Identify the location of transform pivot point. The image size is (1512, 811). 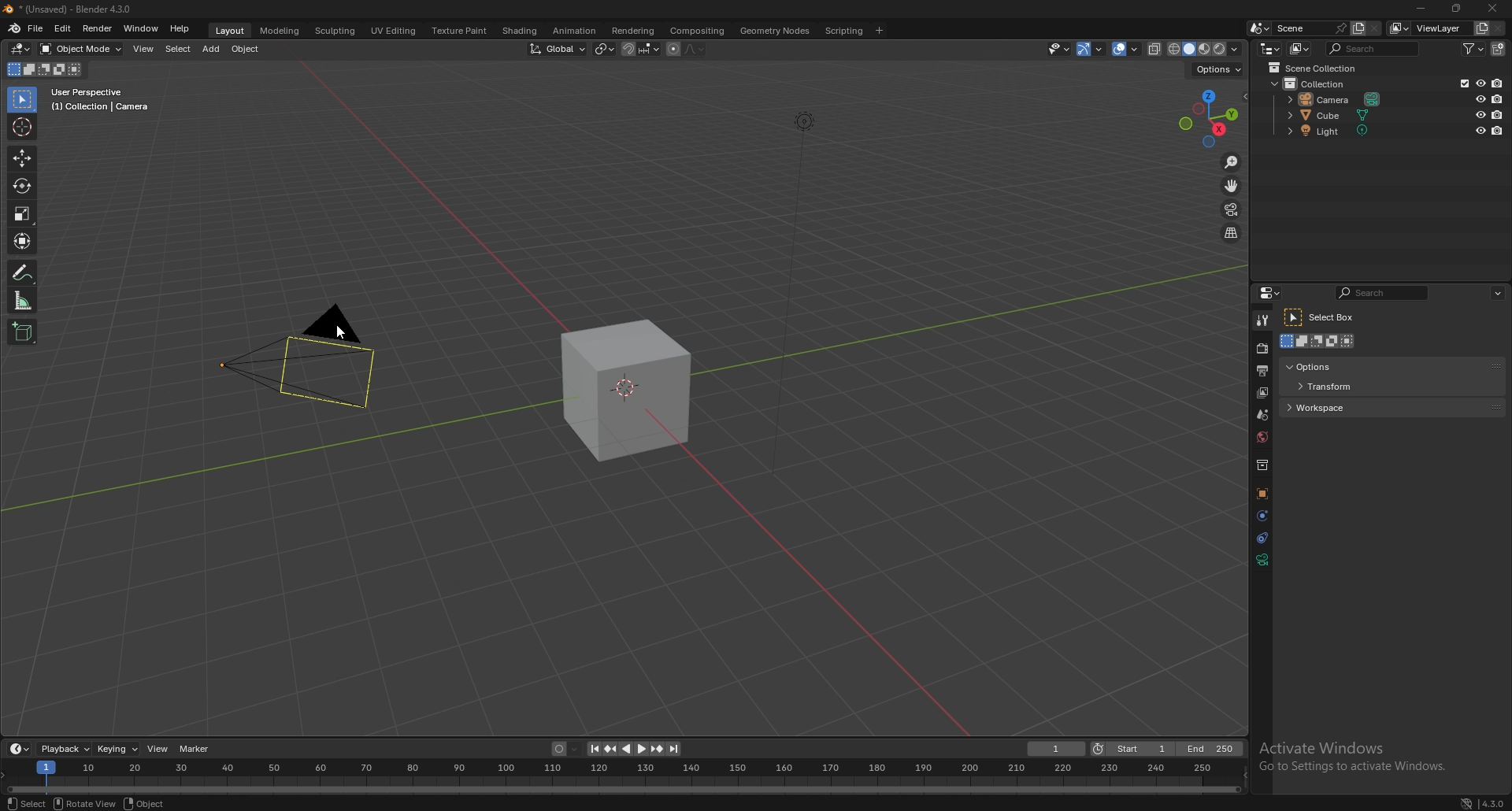
(603, 49).